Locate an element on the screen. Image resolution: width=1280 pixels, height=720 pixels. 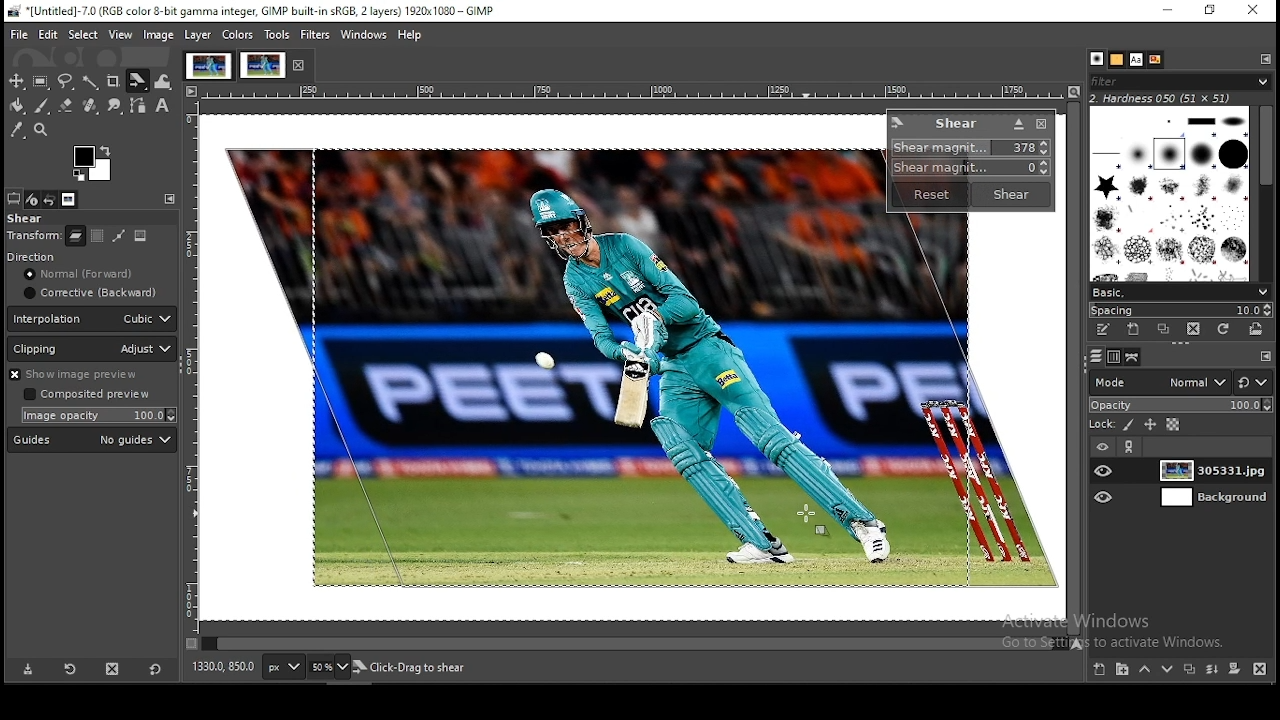
close is located at coordinates (301, 66).